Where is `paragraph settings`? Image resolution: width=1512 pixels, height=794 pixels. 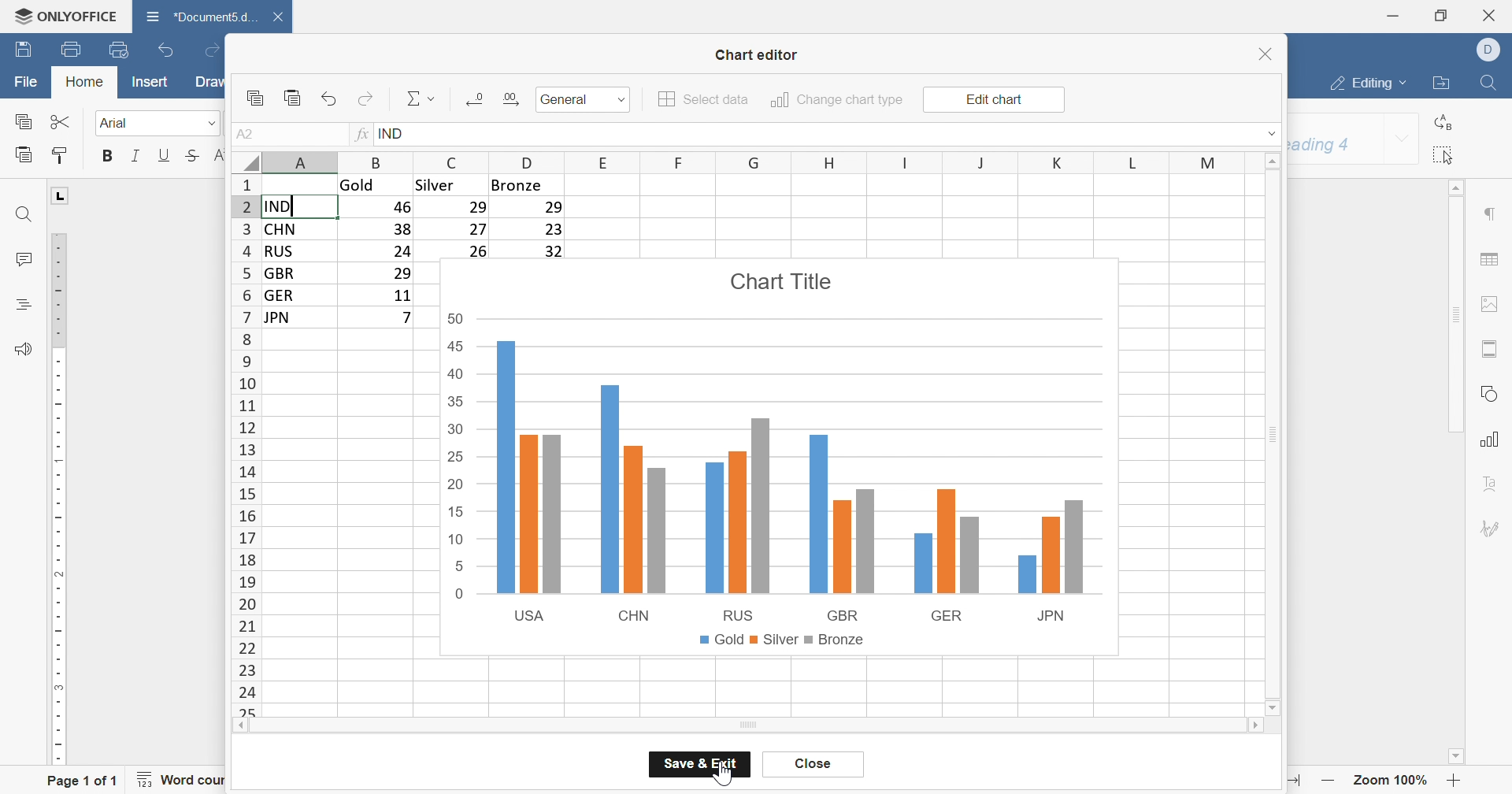
paragraph settings is located at coordinates (1489, 213).